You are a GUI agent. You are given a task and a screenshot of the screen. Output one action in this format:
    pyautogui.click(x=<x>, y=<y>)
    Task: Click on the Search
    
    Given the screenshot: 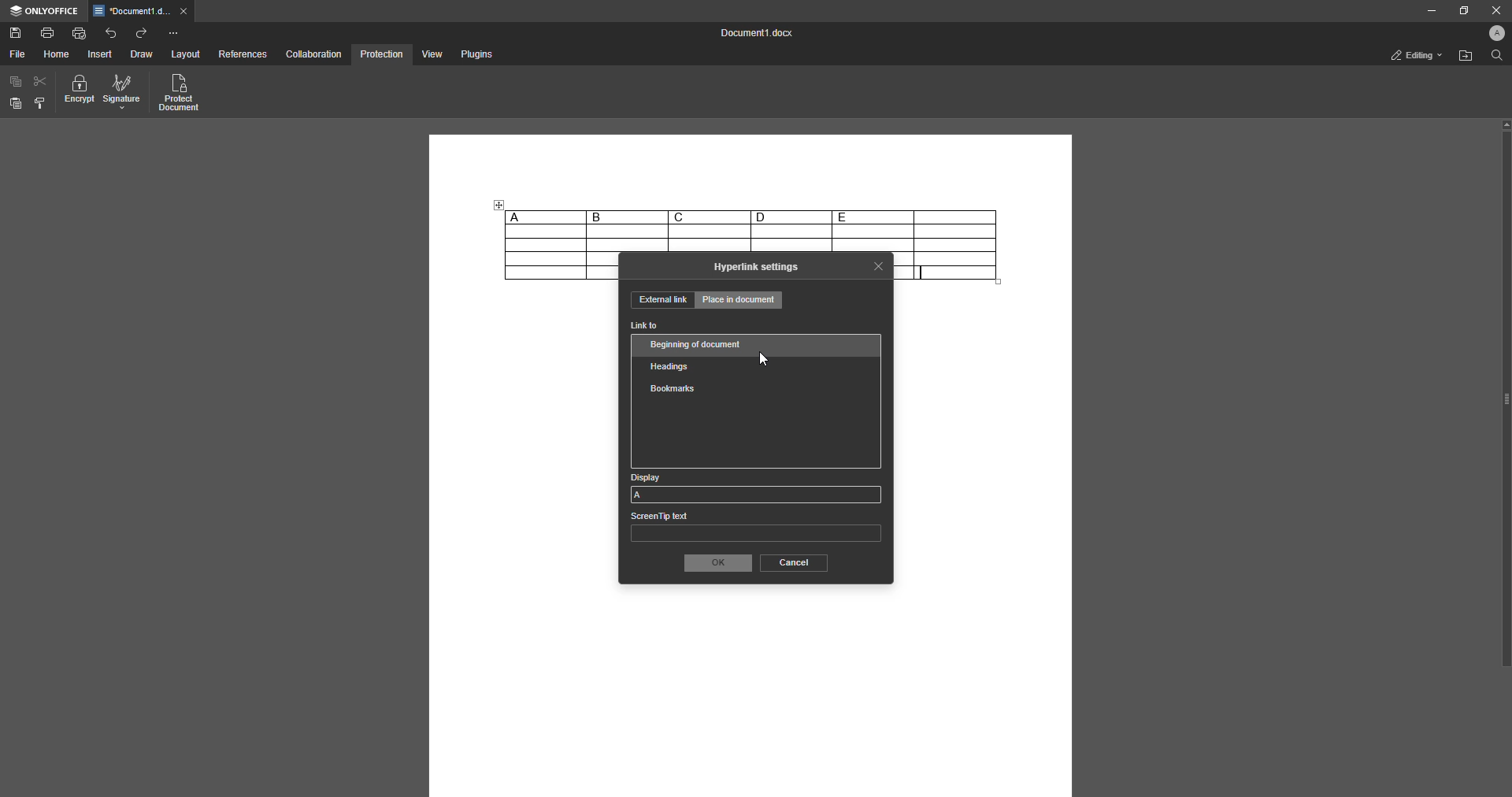 What is the action you would take?
    pyautogui.click(x=1495, y=57)
    